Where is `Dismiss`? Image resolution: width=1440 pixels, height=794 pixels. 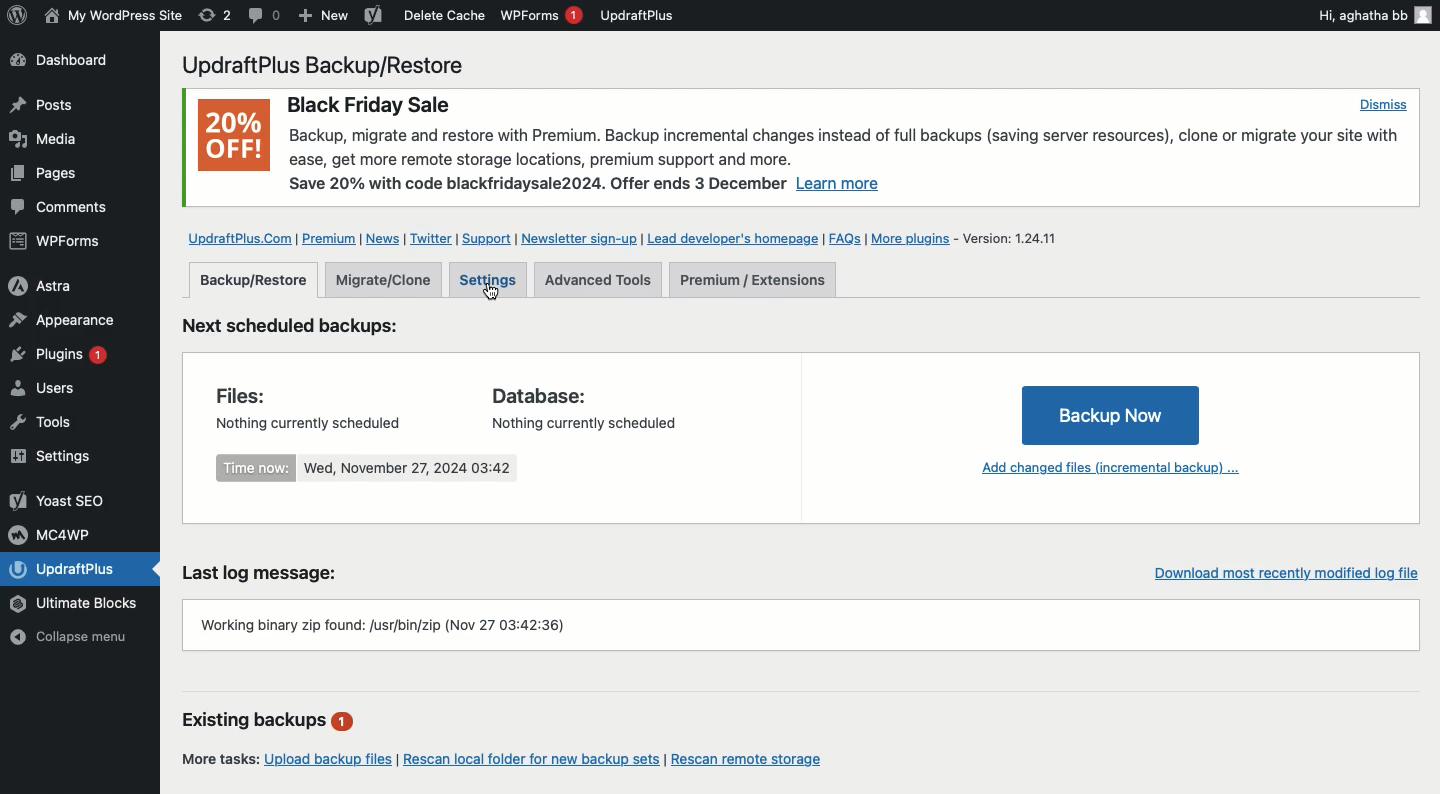 Dismiss is located at coordinates (1382, 104).